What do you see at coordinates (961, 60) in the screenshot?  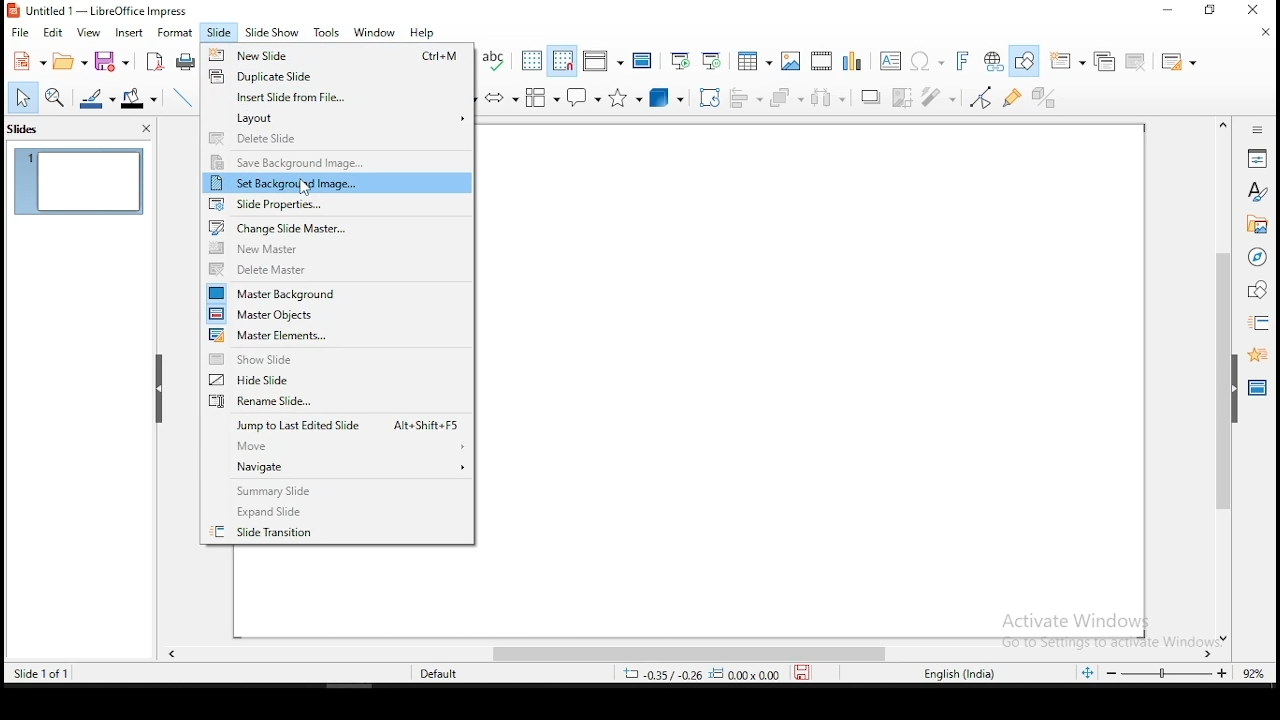 I see `fontwork text` at bounding box center [961, 60].